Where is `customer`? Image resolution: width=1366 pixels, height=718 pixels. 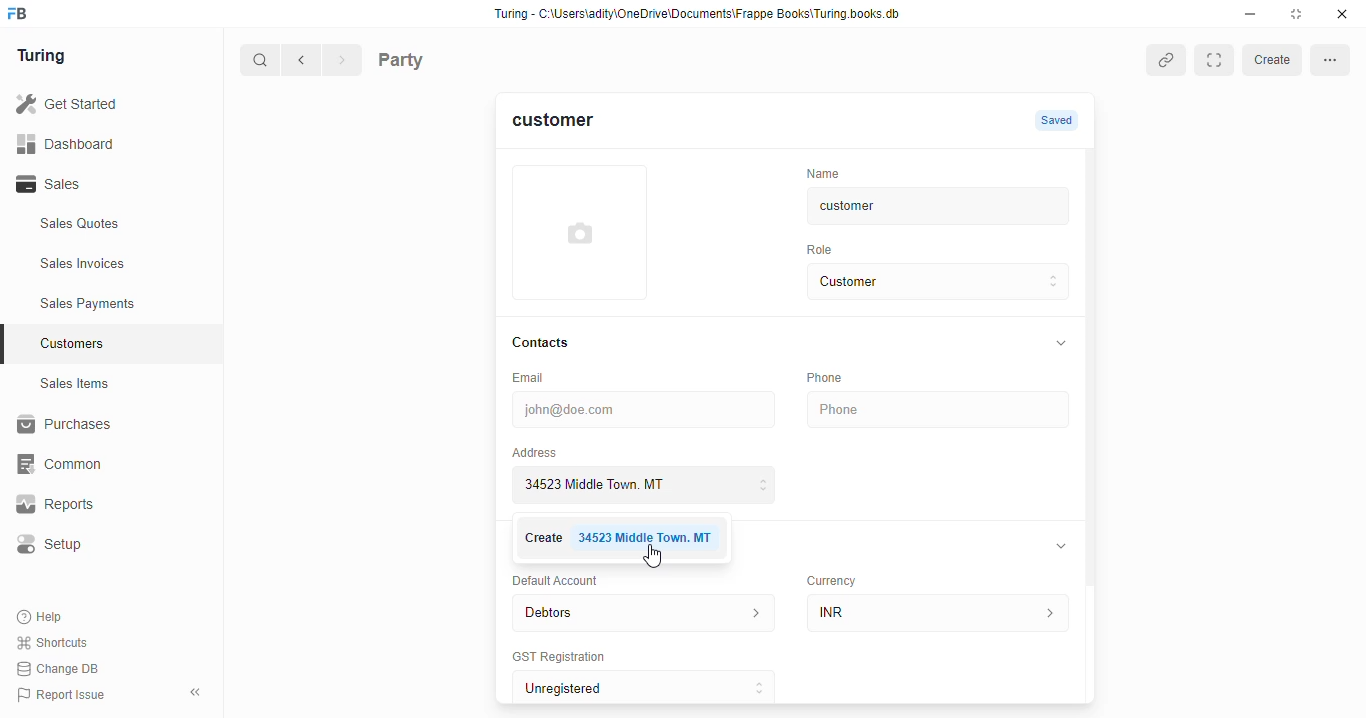
customer is located at coordinates (565, 125).